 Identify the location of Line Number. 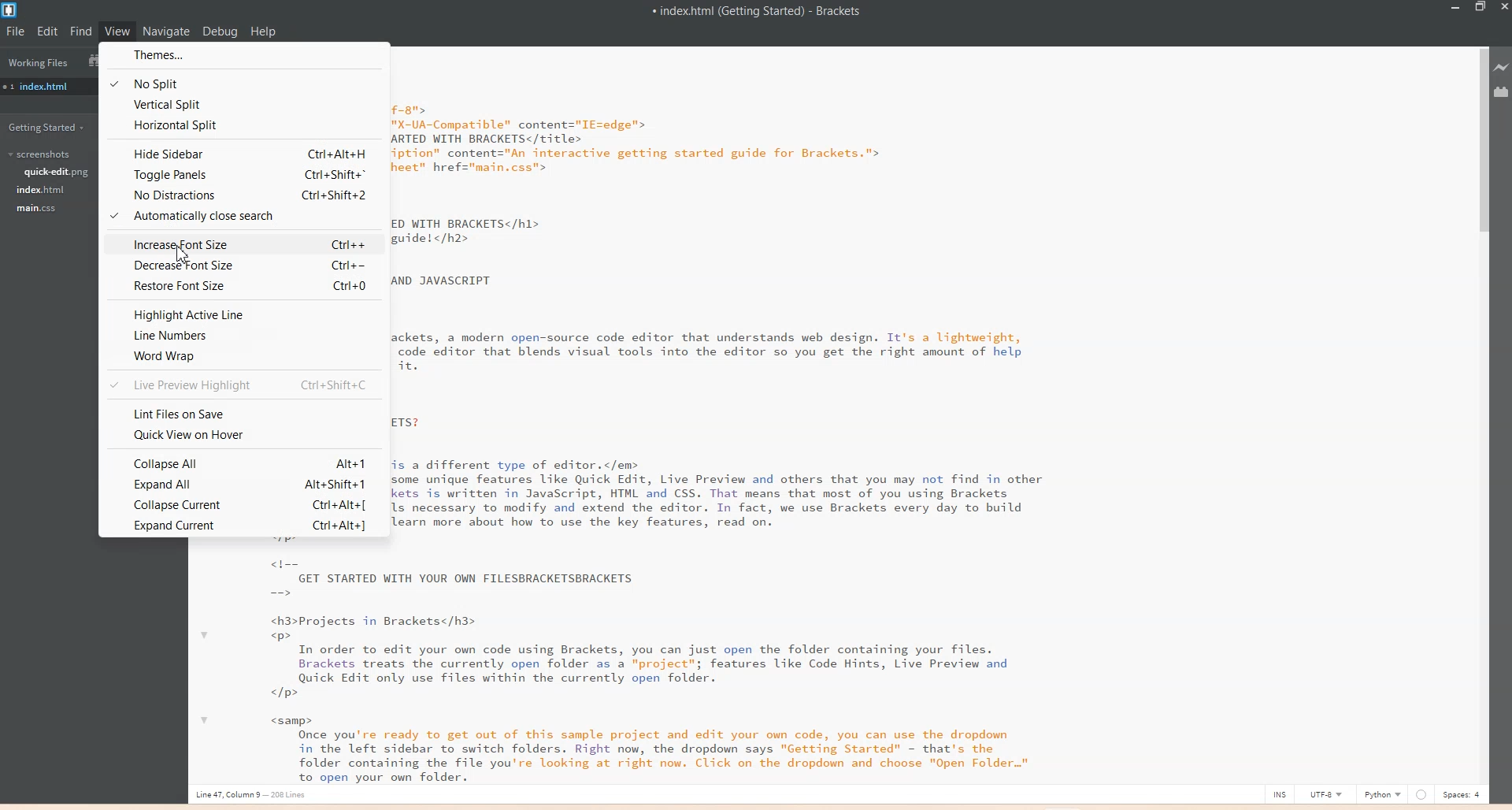
(244, 336).